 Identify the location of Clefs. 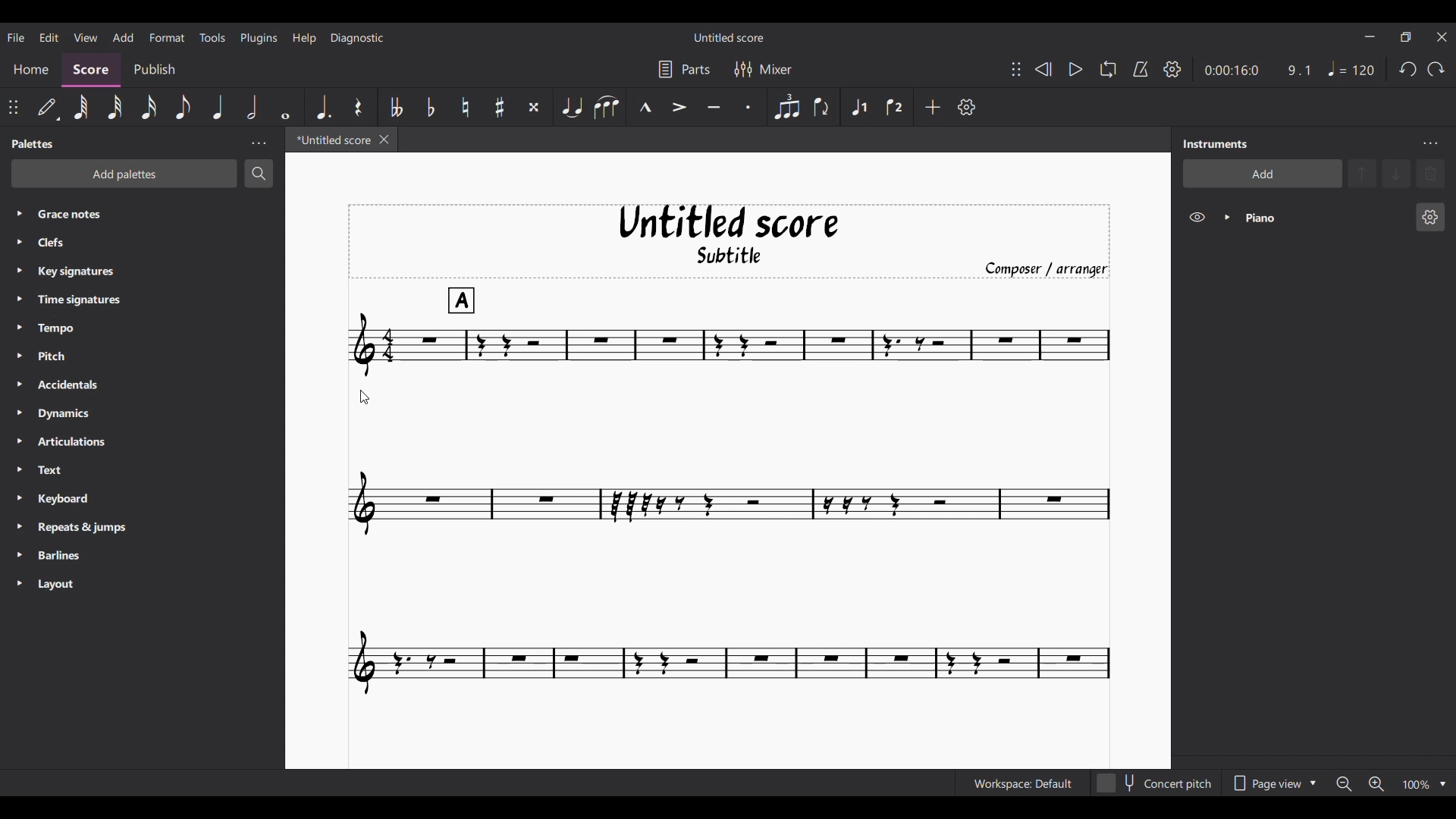
(121, 243).